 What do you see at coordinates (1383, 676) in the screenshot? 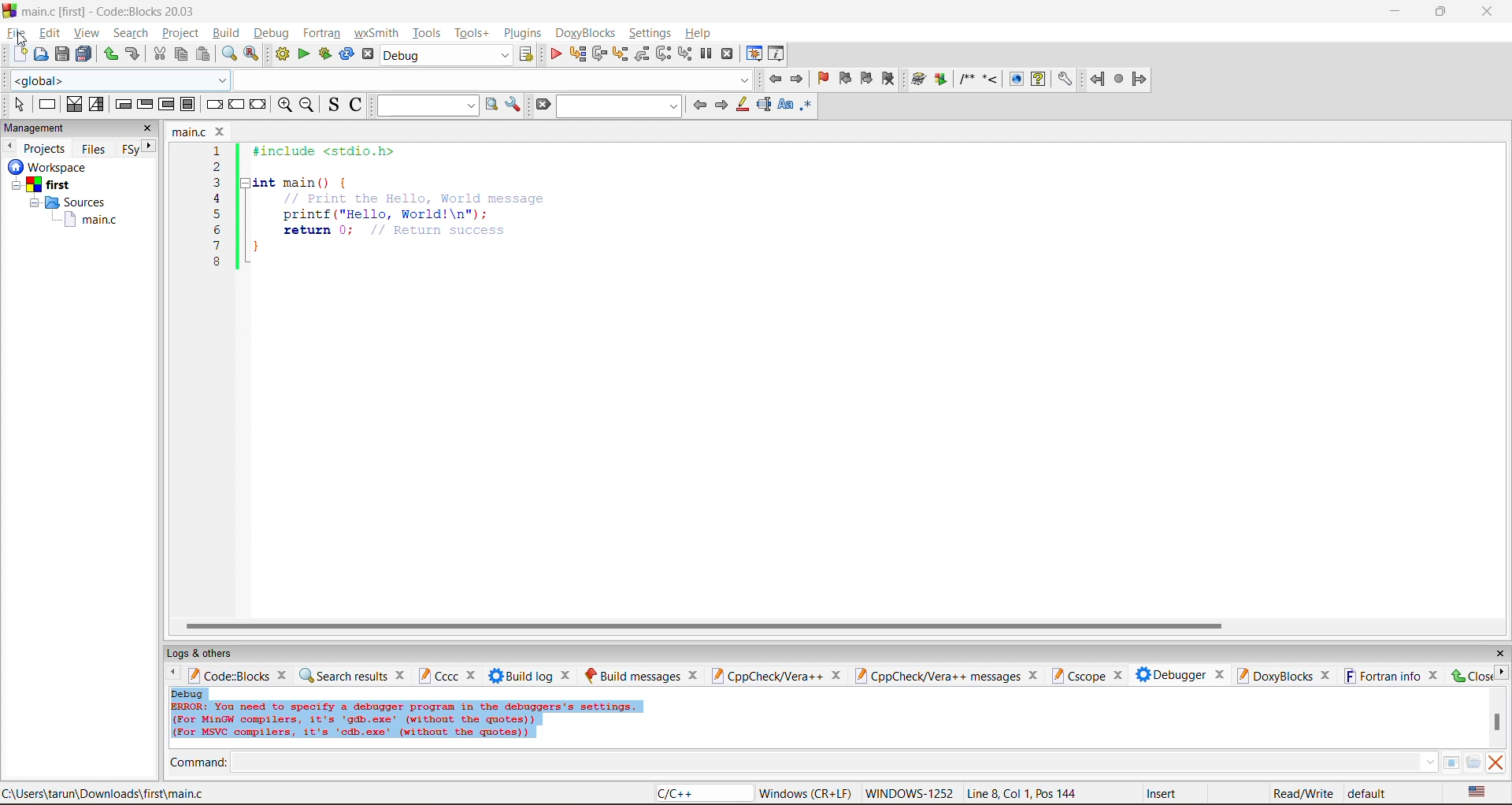
I see `fortran info` at bounding box center [1383, 676].